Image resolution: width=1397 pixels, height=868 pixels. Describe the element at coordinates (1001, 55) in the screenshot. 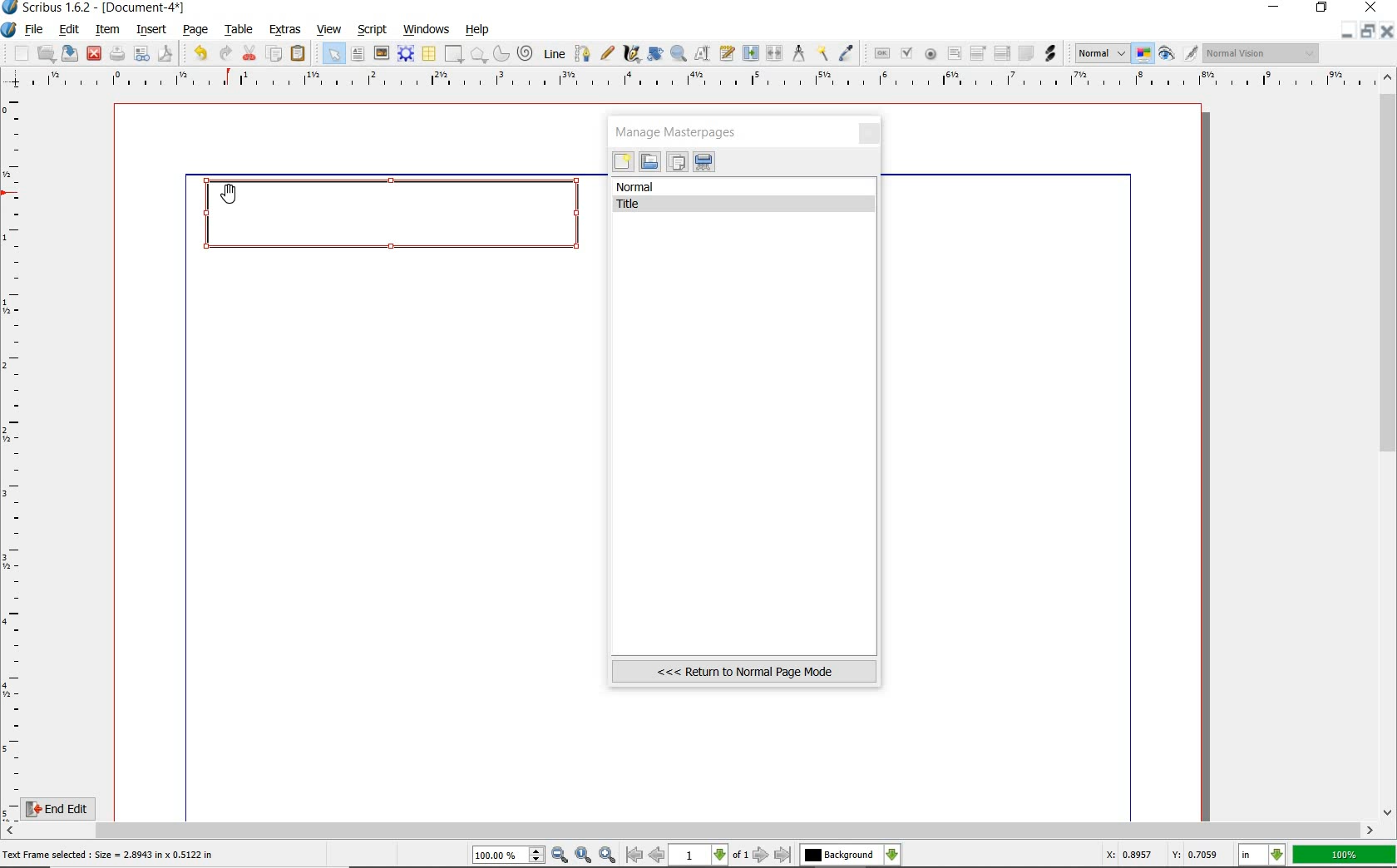

I see `pdf list box` at that location.